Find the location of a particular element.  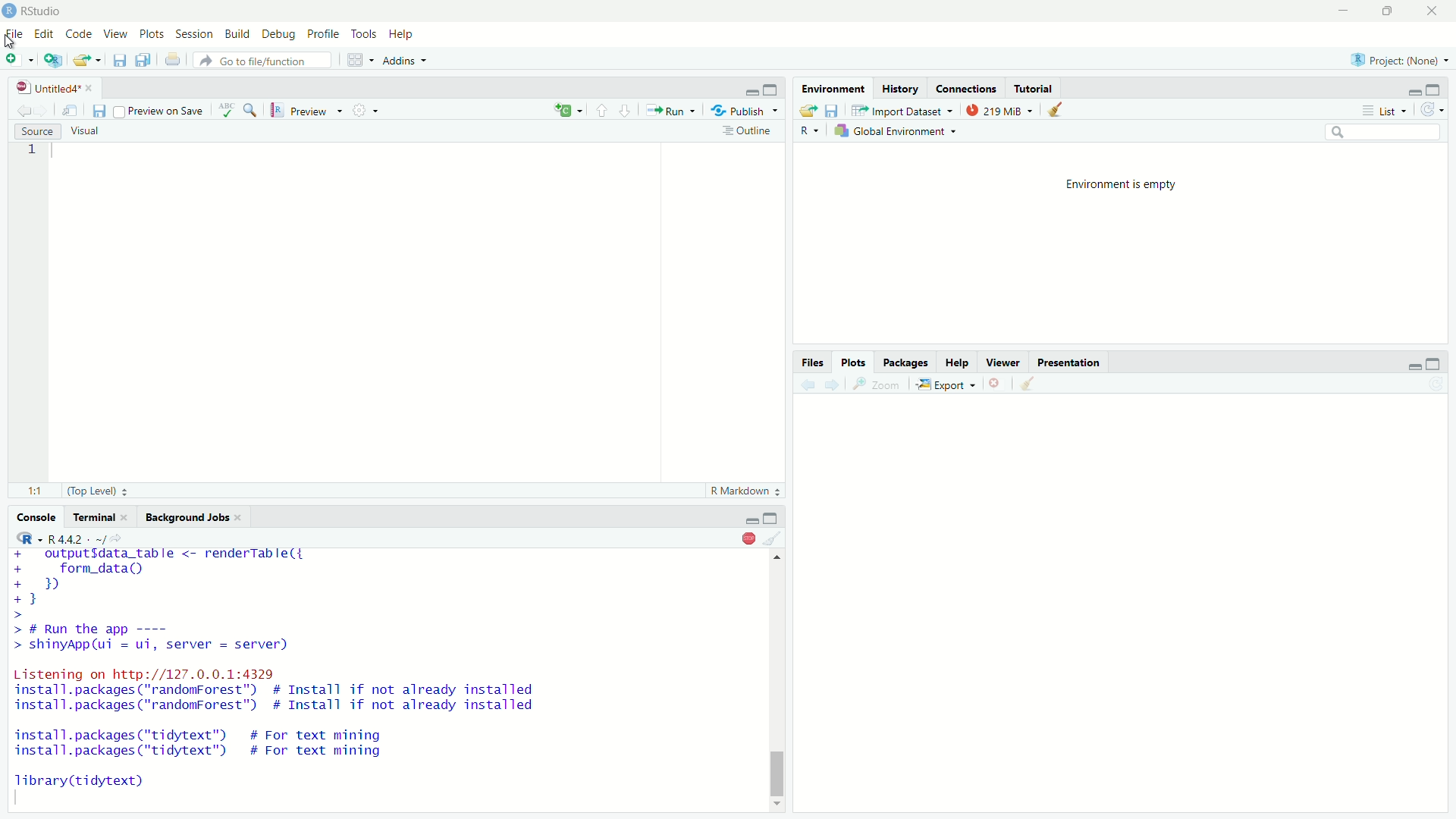

History is located at coordinates (899, 87).